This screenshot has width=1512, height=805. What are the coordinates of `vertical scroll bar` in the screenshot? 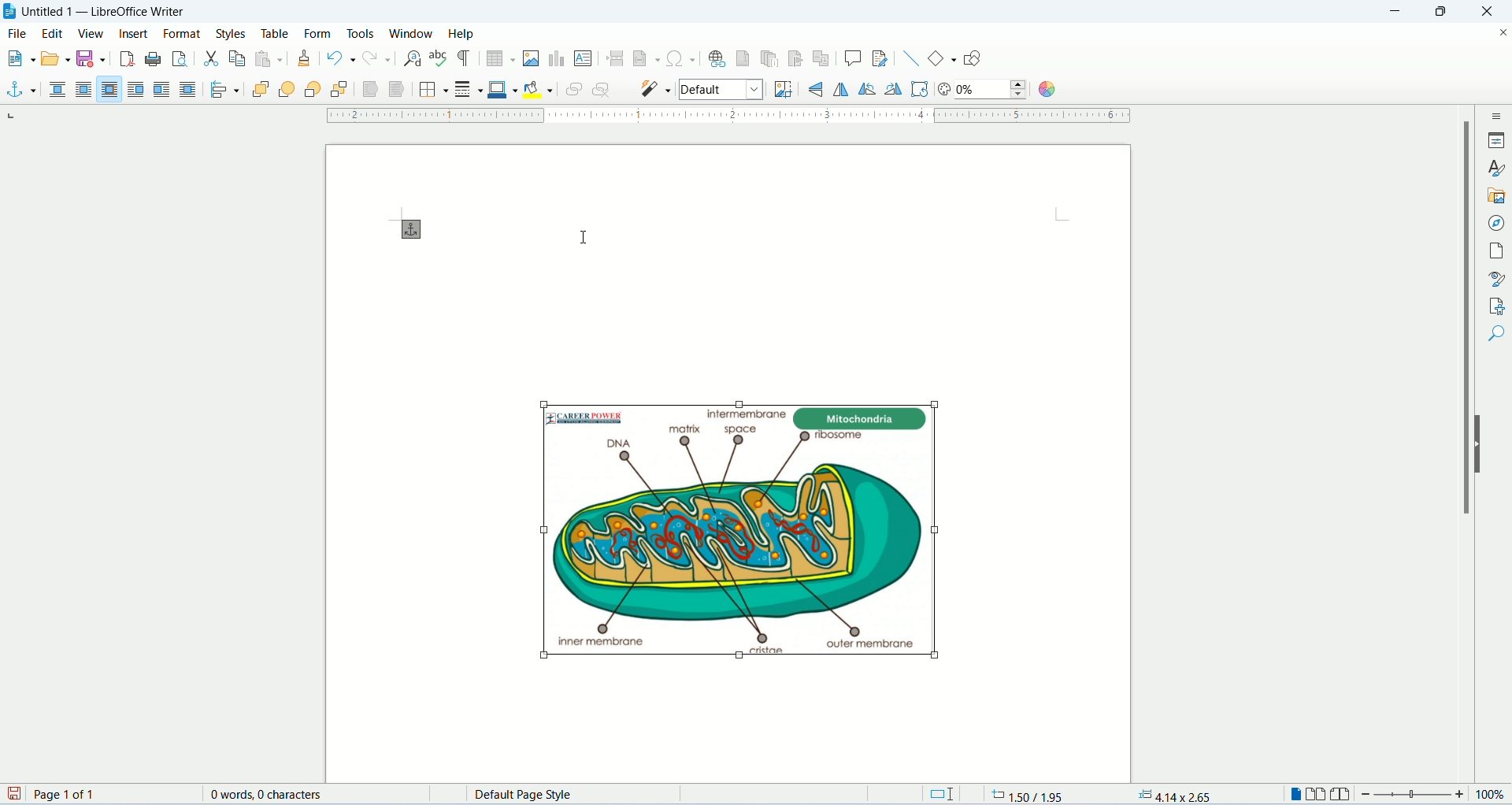 It's located at (1457, 444).